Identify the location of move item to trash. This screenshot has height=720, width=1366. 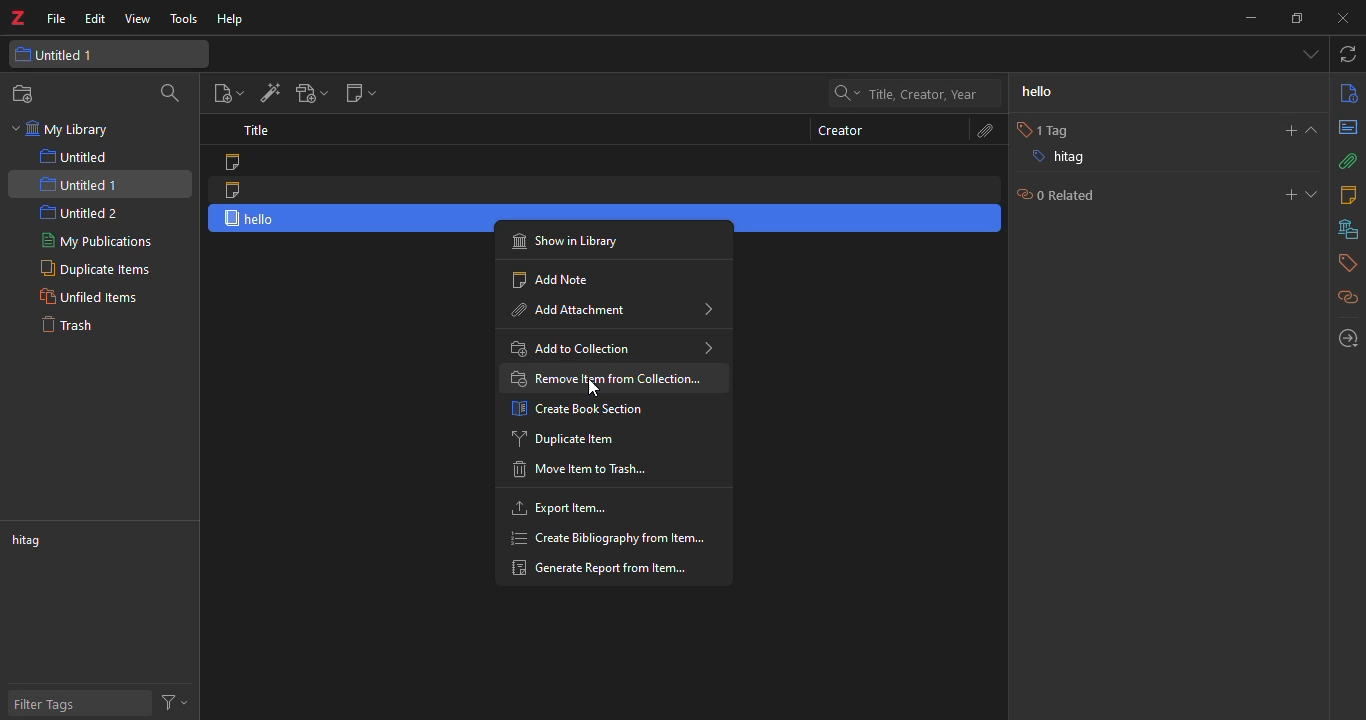
(588, 471).